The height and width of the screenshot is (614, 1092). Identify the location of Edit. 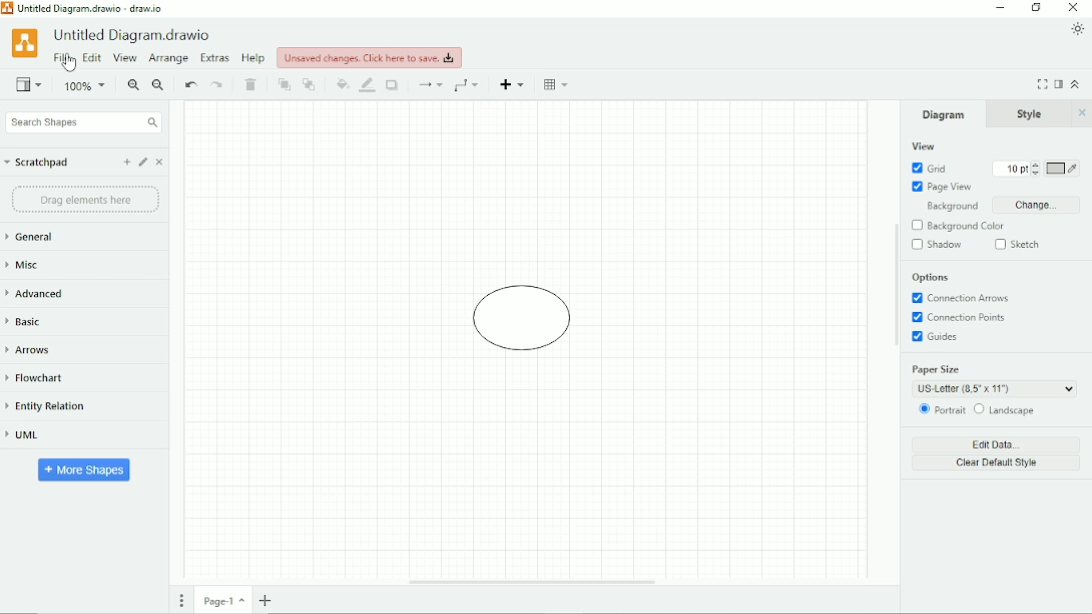
(143, 163).